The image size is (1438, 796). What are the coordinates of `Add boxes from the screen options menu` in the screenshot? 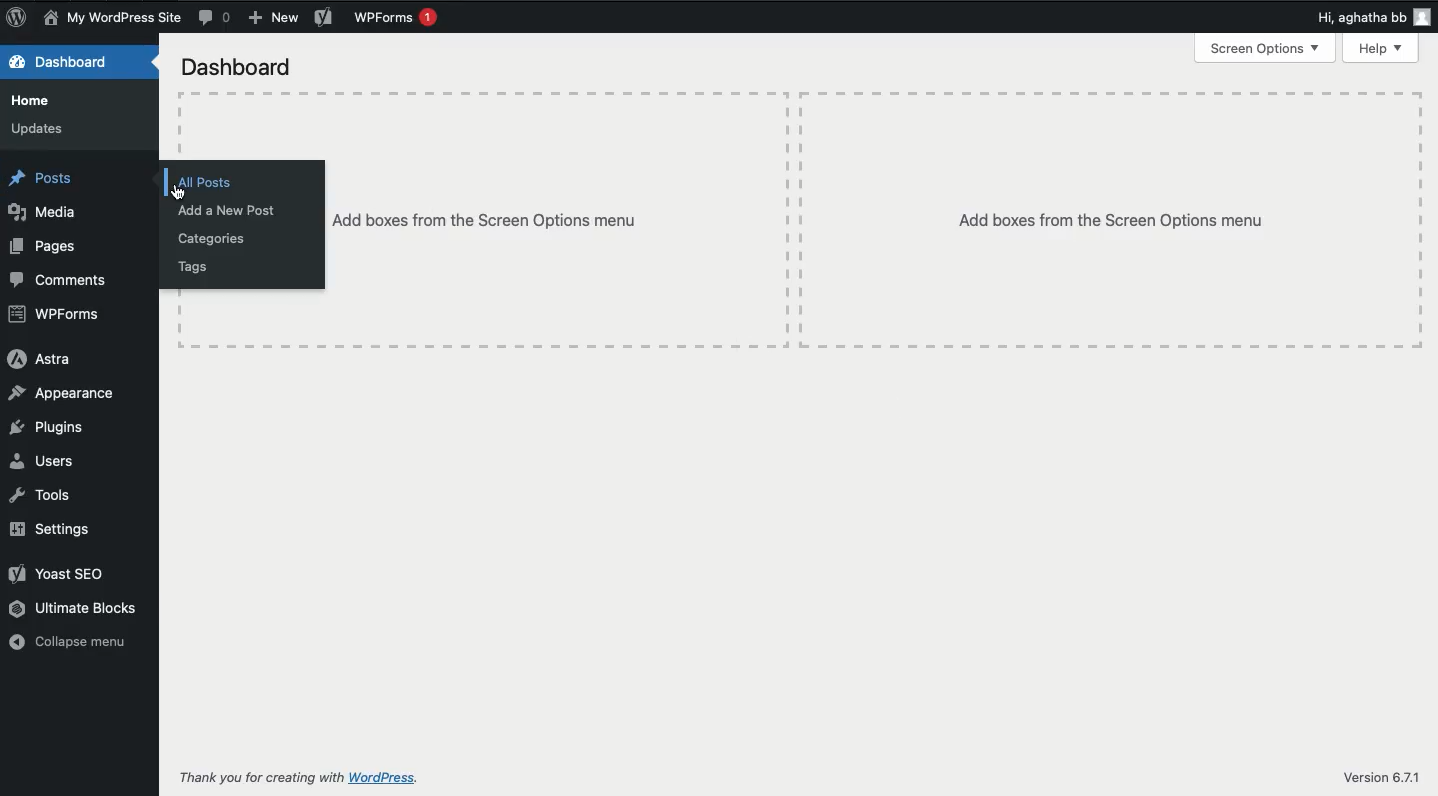 It's located at (560, 218).